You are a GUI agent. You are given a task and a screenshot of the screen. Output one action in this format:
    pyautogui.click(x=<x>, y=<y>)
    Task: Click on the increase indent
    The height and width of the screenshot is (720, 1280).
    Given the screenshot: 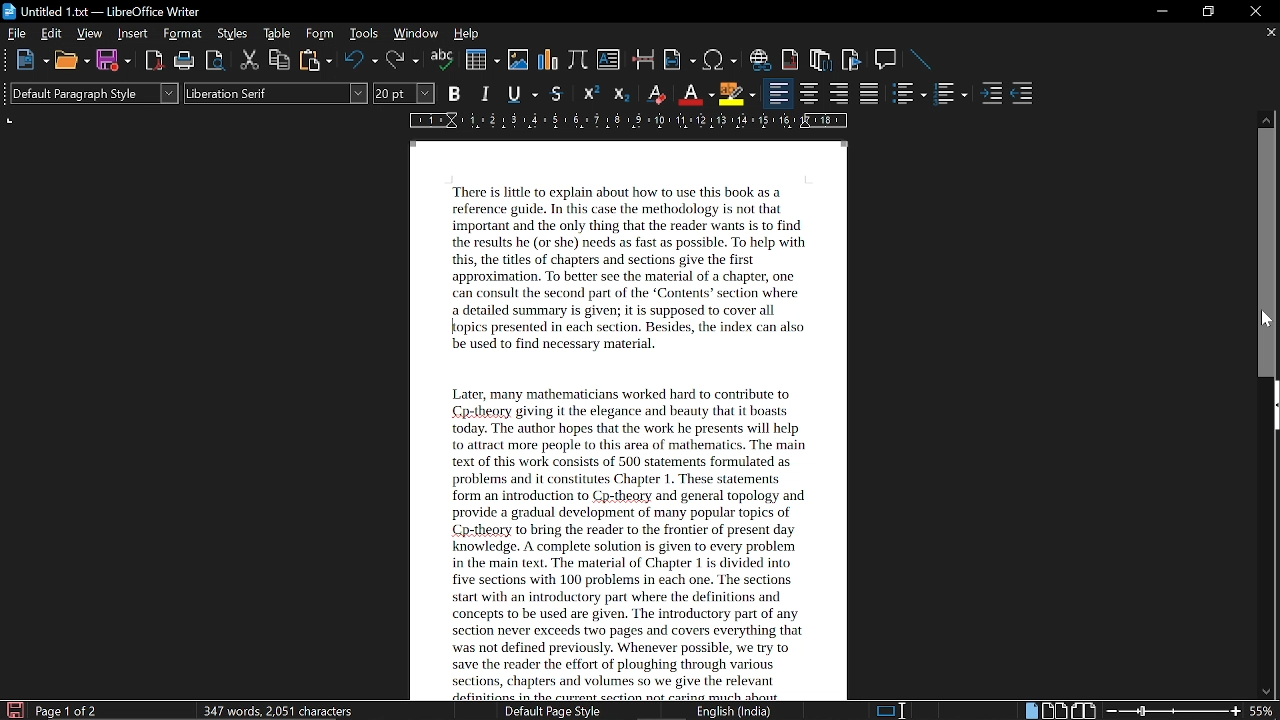 What is the action you would take?
    pyautogui.click(x=991, y=95)
    